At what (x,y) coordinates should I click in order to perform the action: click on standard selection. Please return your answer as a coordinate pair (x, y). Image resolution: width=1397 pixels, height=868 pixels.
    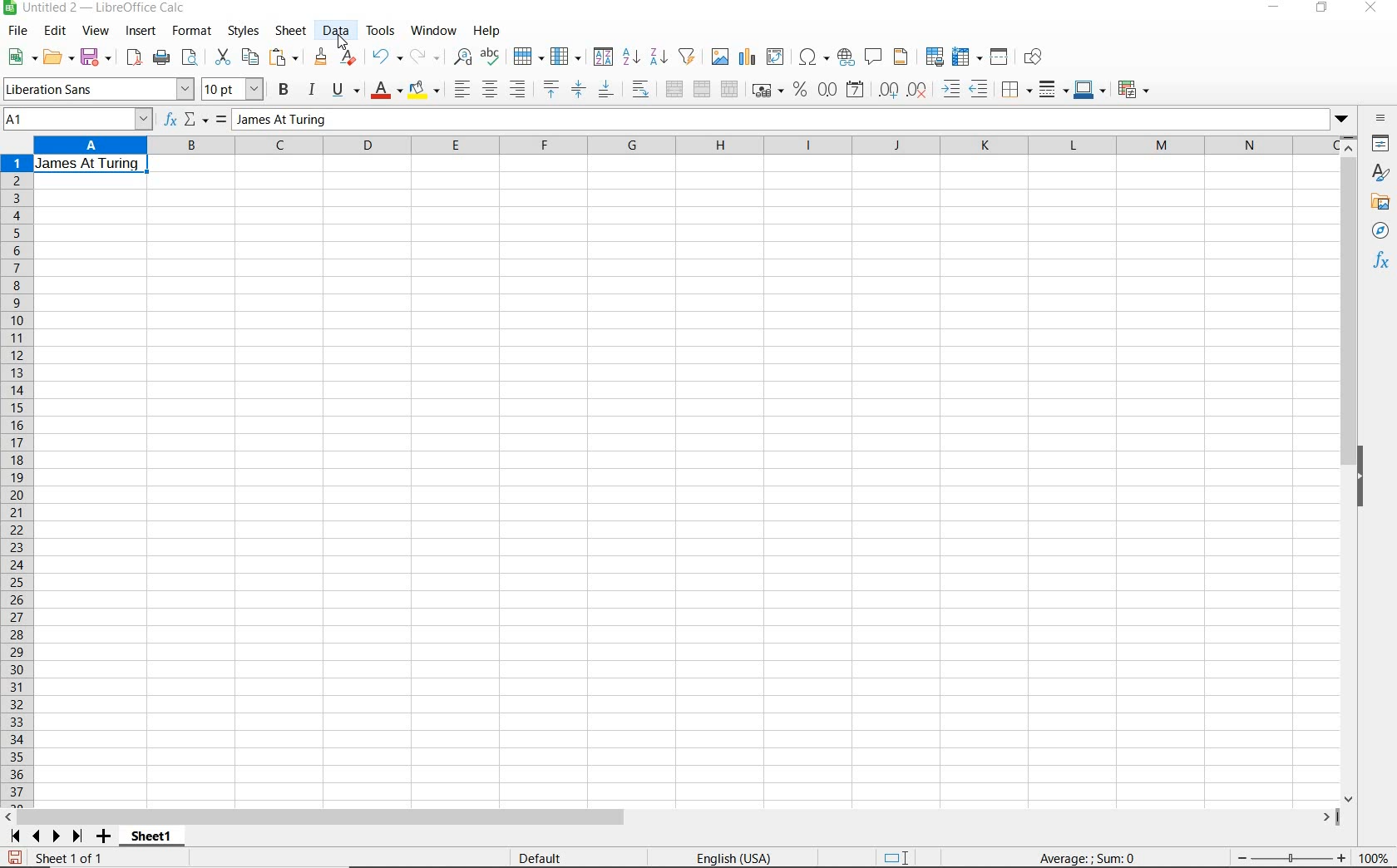
    Looking at the image, I should click on (892, 855).